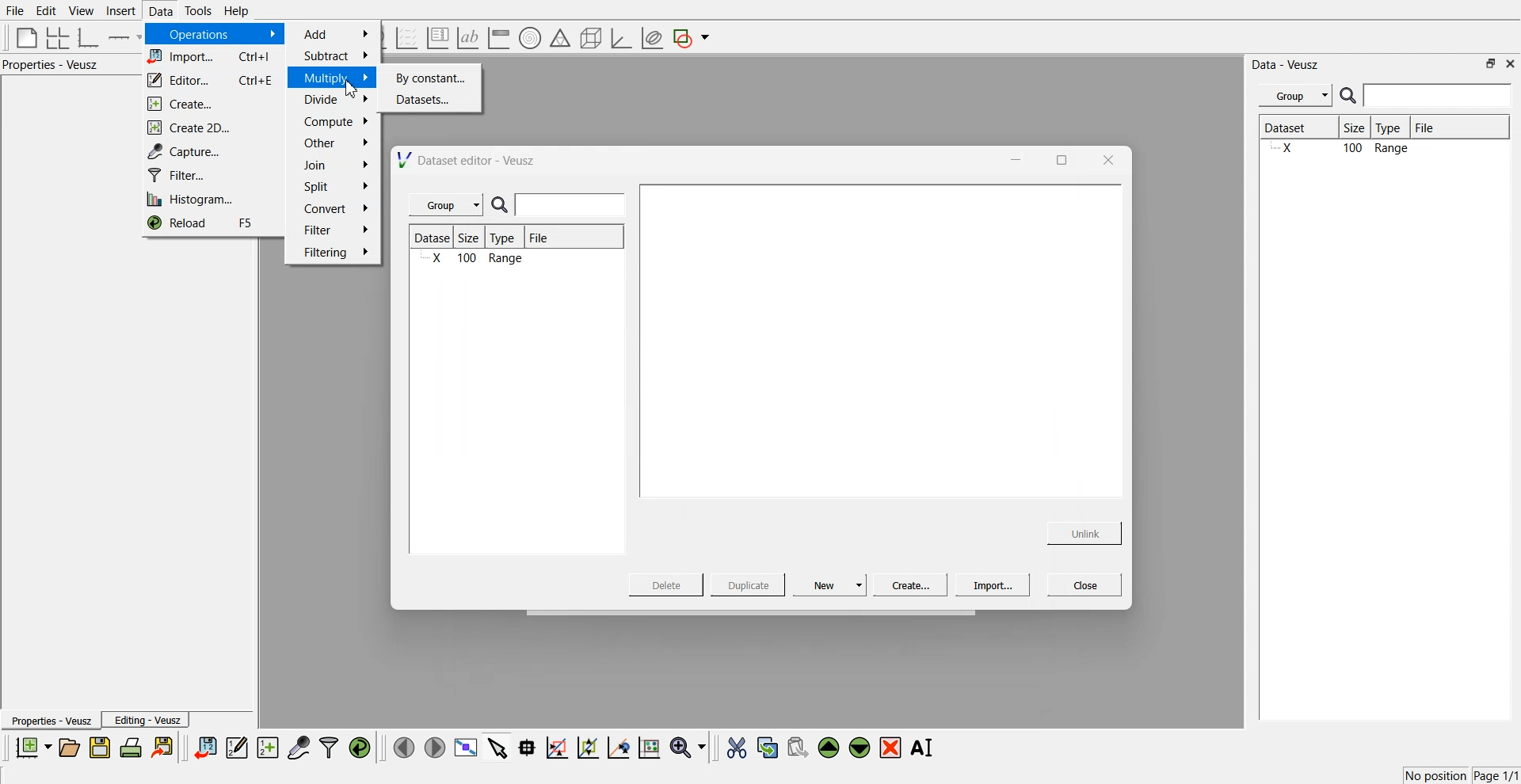 Image resolution: width=1521 pixels, height=784 pixels. Describe the element at coordinates (586, 747) in the screenshot. I see `zoom out the graph axes` at that location.